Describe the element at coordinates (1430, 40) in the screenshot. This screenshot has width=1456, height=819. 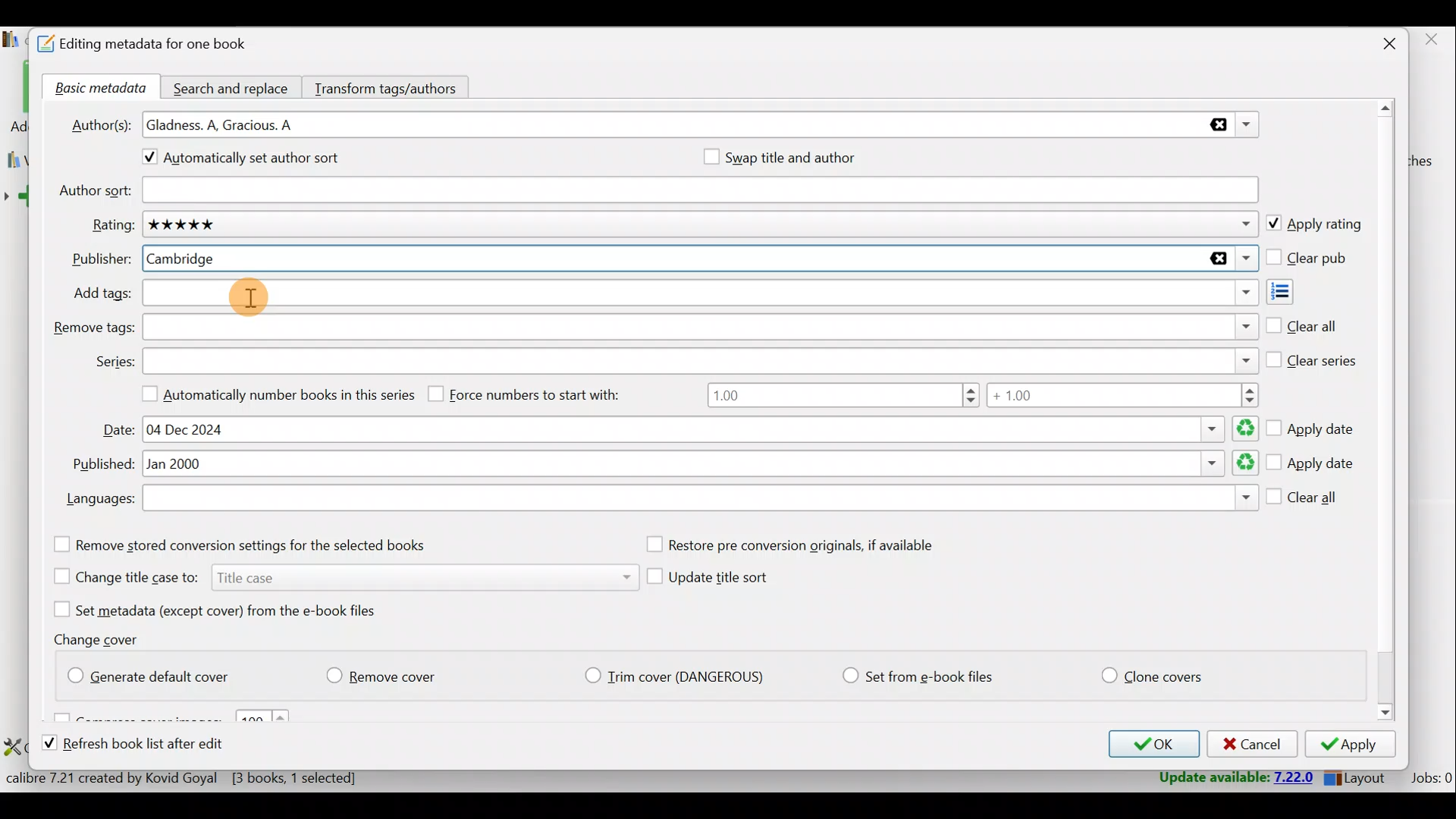
I see `close` at that location.